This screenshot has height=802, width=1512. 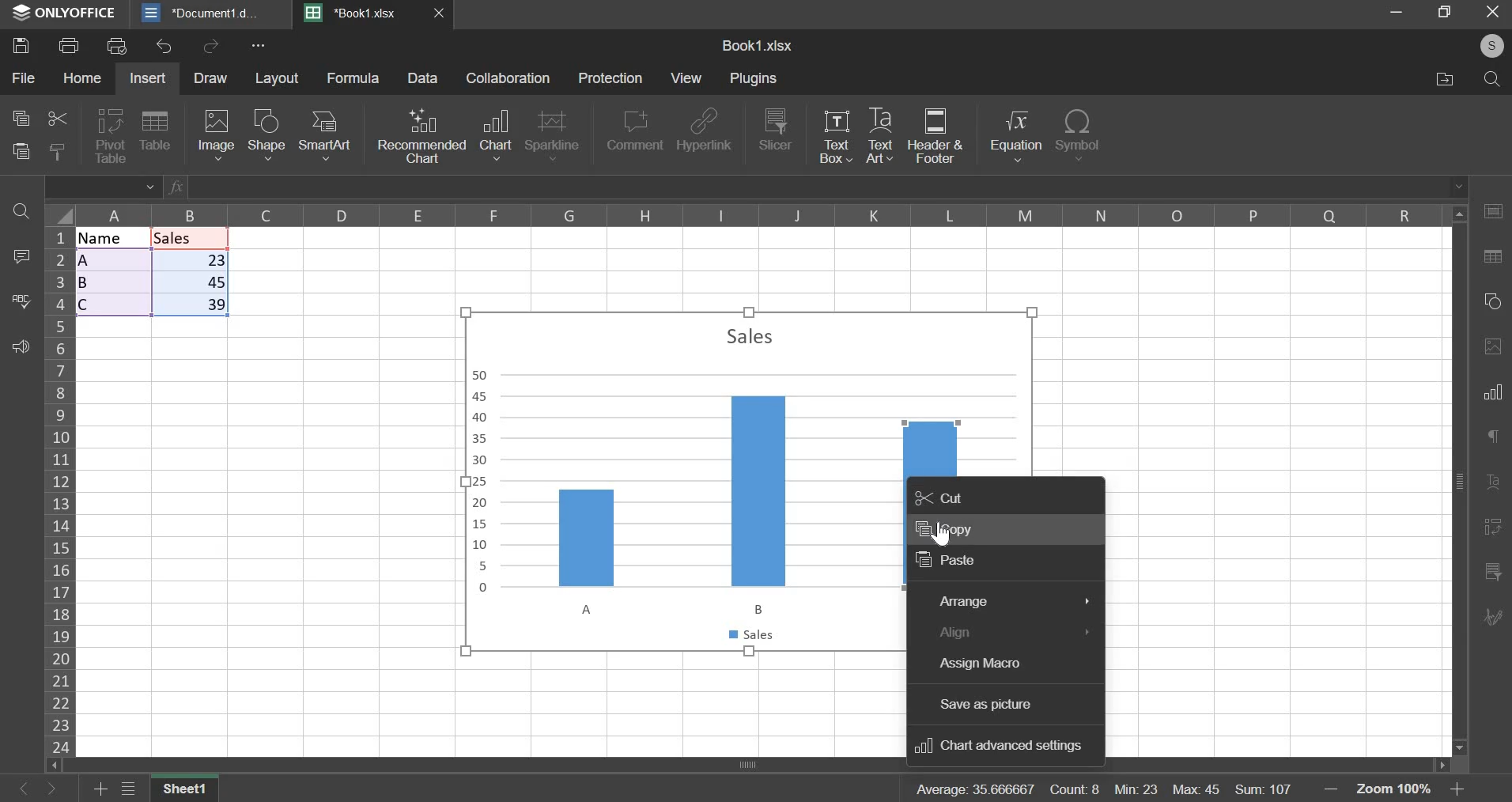 I want to click on , so click(x=43, y=789).